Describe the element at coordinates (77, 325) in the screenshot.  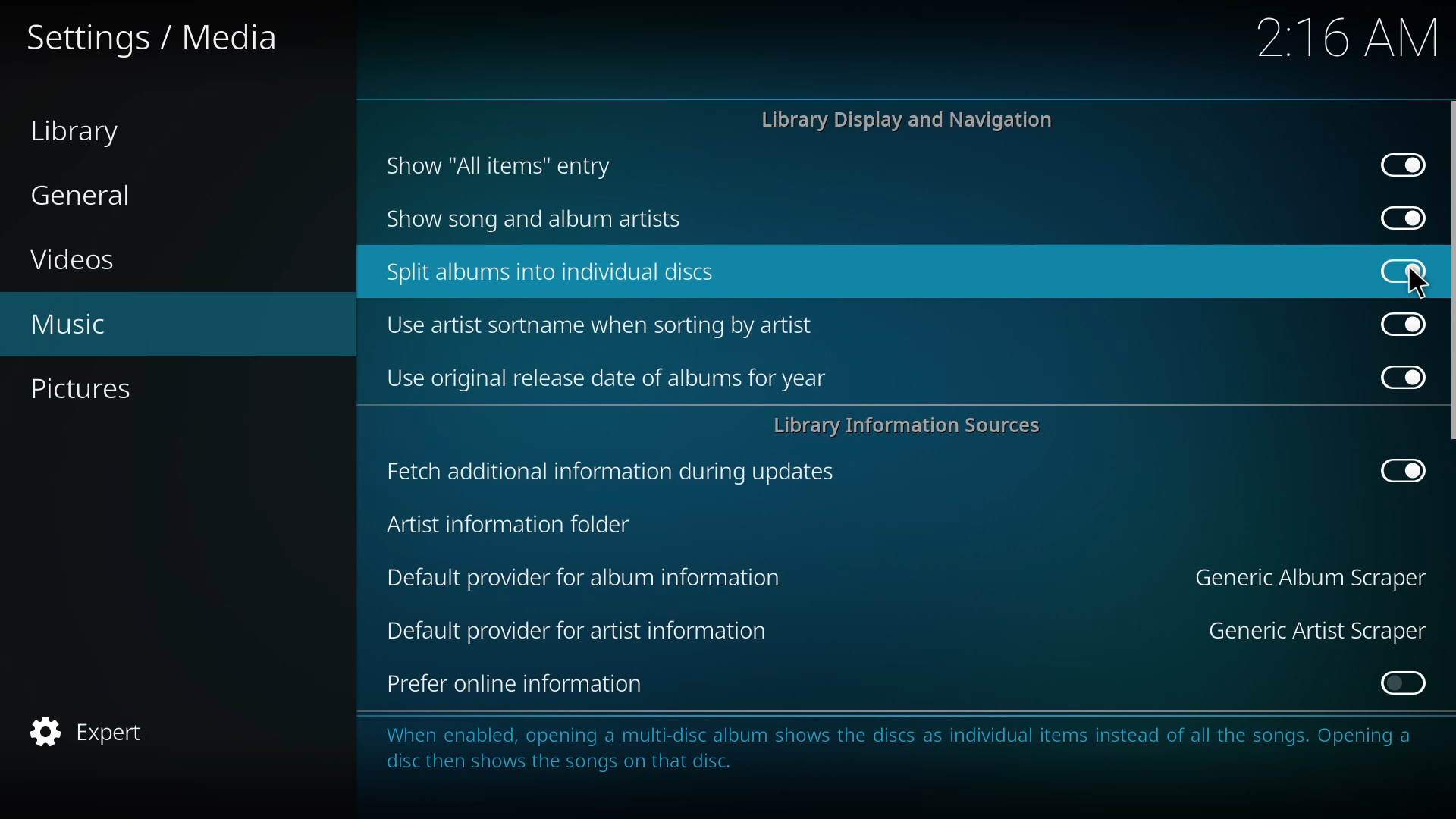
I see `music` at that location.